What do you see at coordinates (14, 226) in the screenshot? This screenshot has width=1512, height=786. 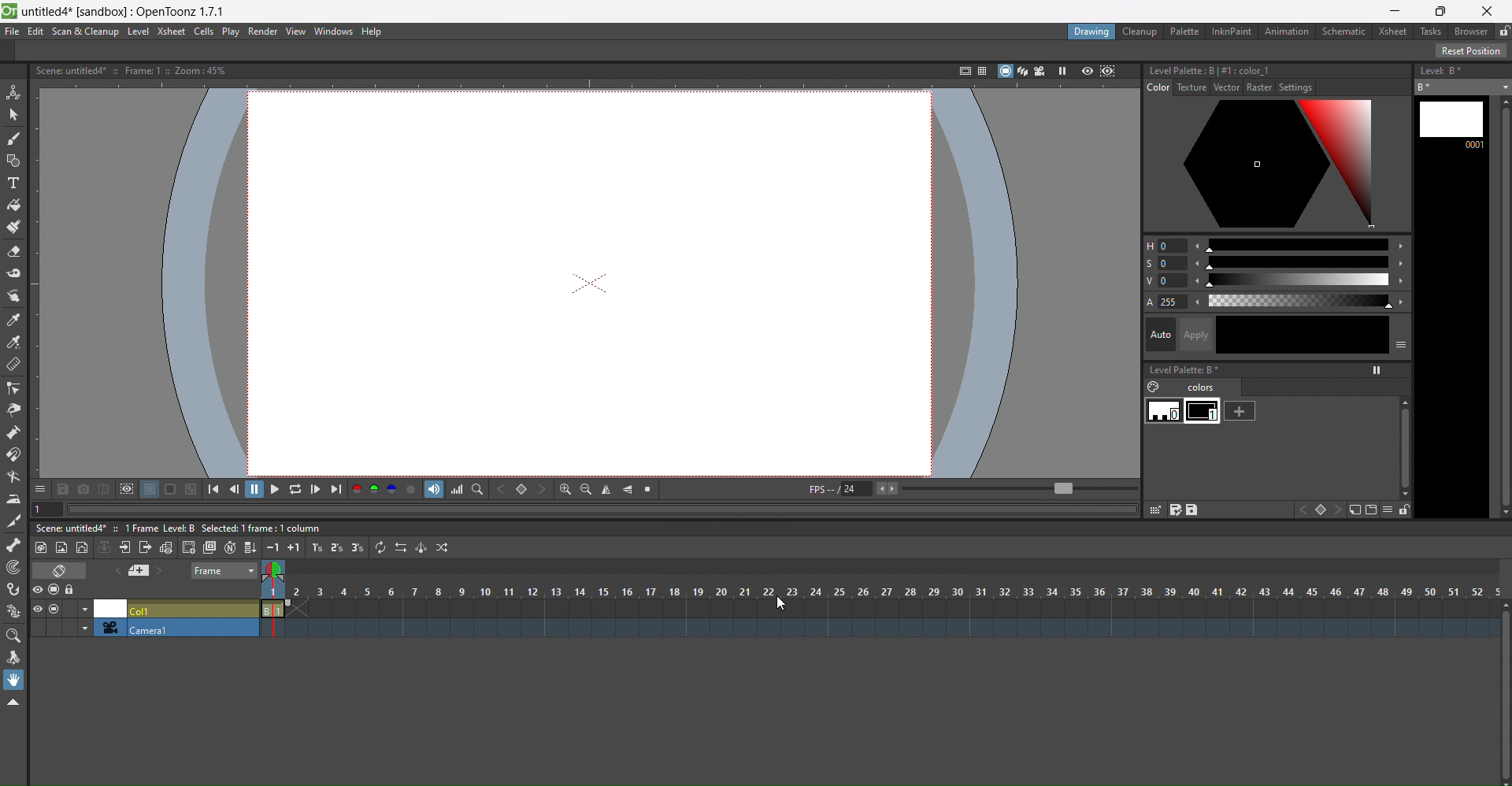 I see `paint brush tool` at bounding box center [14, 226].